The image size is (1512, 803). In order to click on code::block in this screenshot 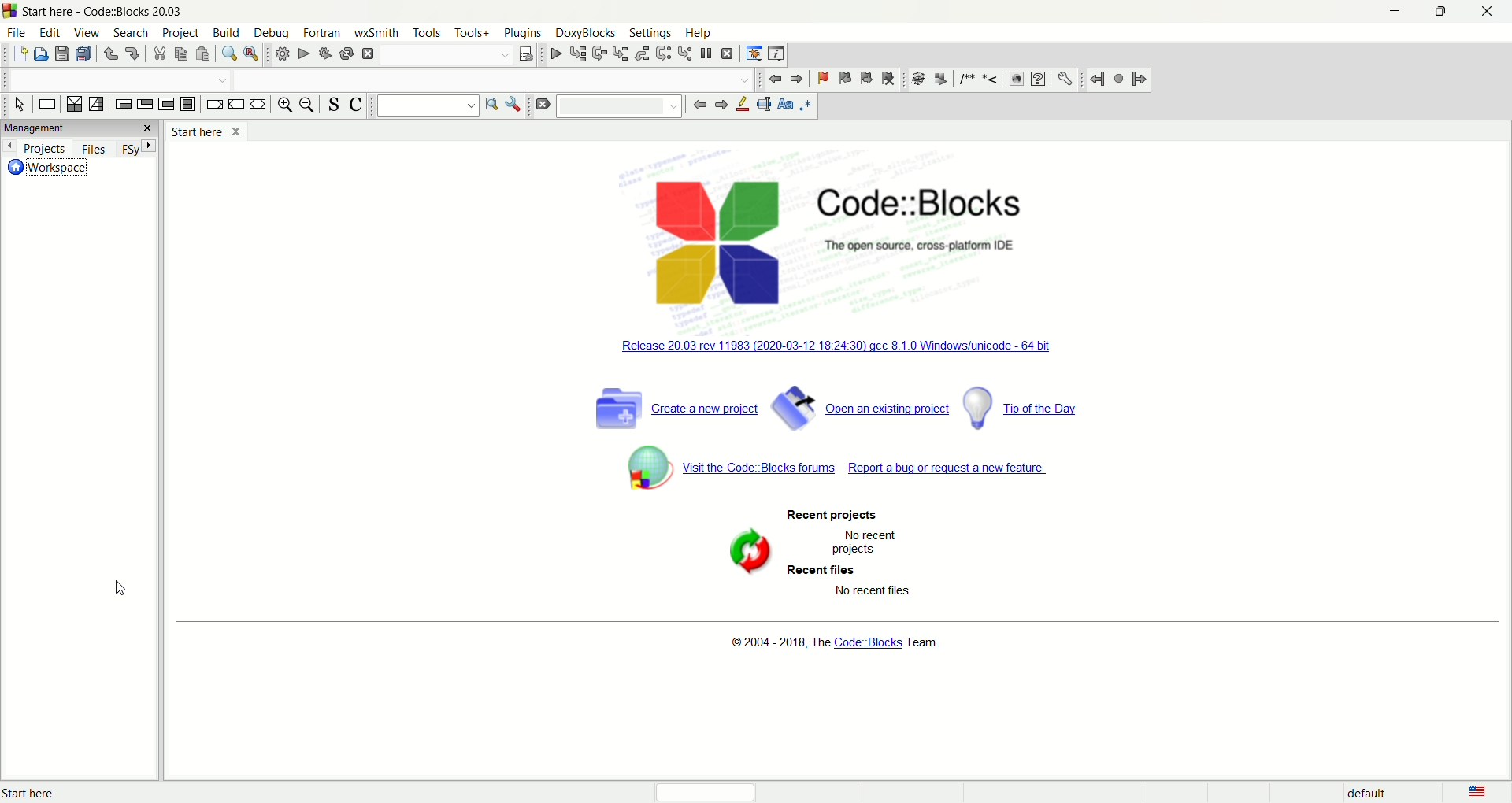, I will do `click(114, 12)`.